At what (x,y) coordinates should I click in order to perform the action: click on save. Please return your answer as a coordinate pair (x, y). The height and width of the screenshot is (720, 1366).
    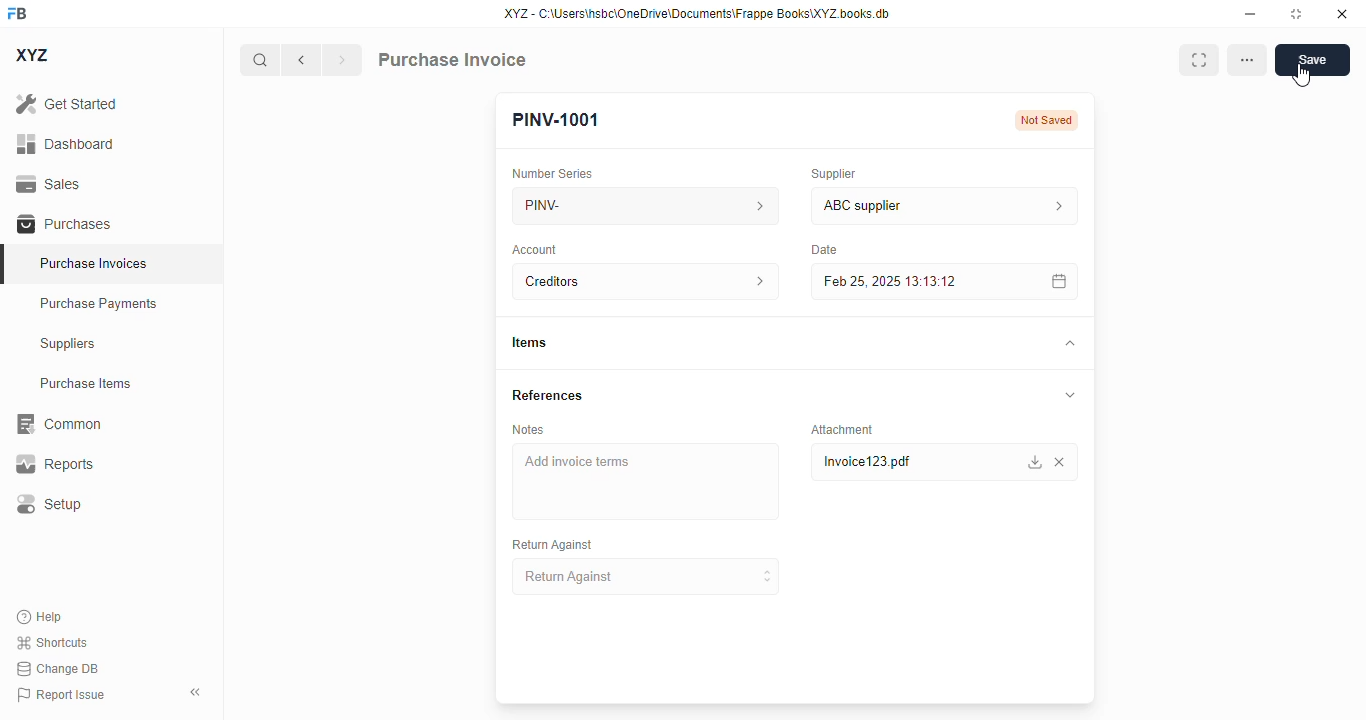
    Looking at the image, I should click on (1313, 60).